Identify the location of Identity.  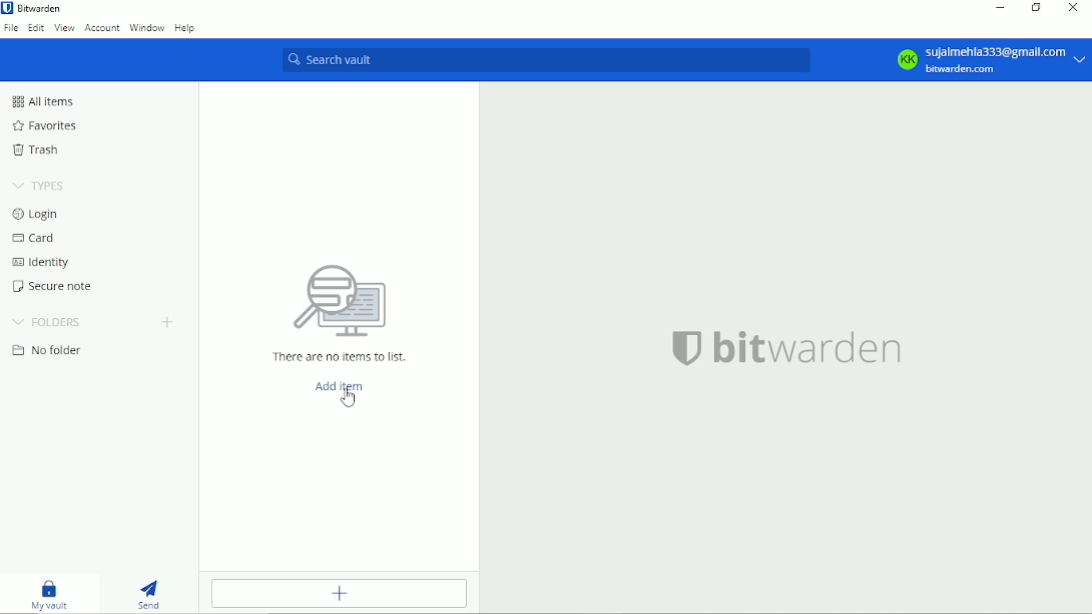
(42, 263).